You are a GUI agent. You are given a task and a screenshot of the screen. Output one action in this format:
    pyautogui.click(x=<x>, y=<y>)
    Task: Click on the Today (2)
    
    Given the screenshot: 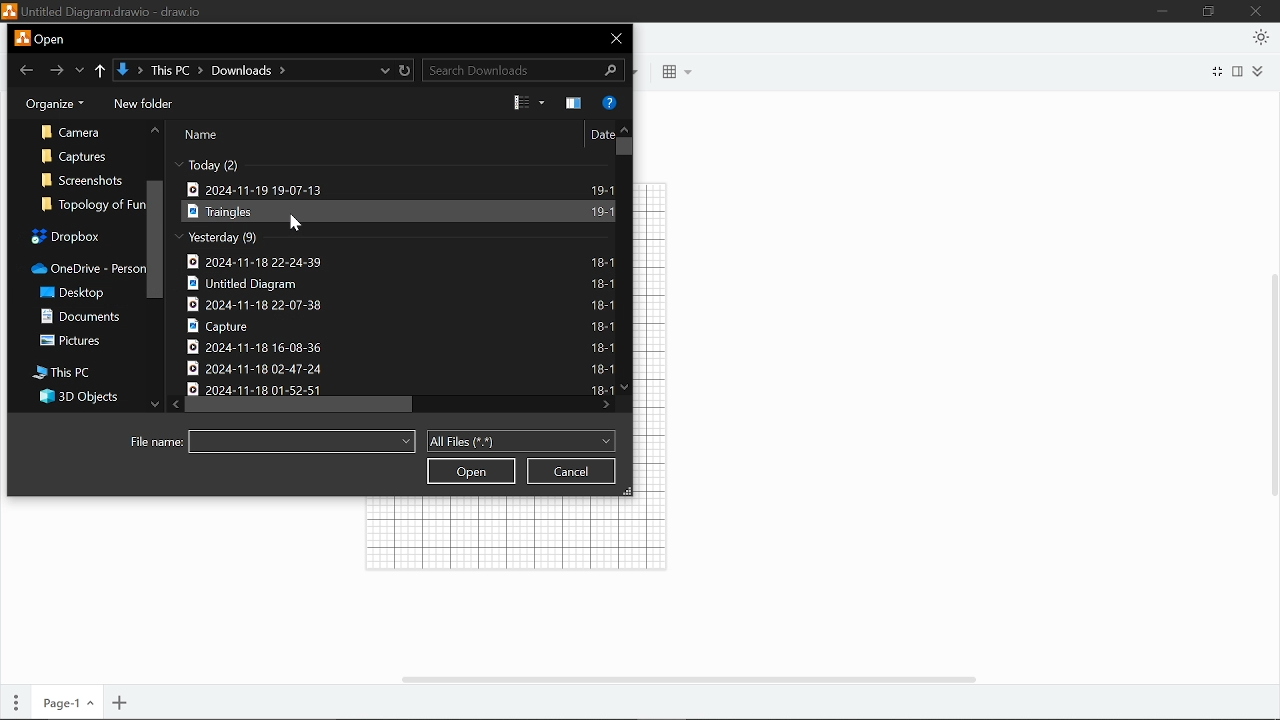 What is the action you would take?
    pyautogui.click(x=225, y=164)
    